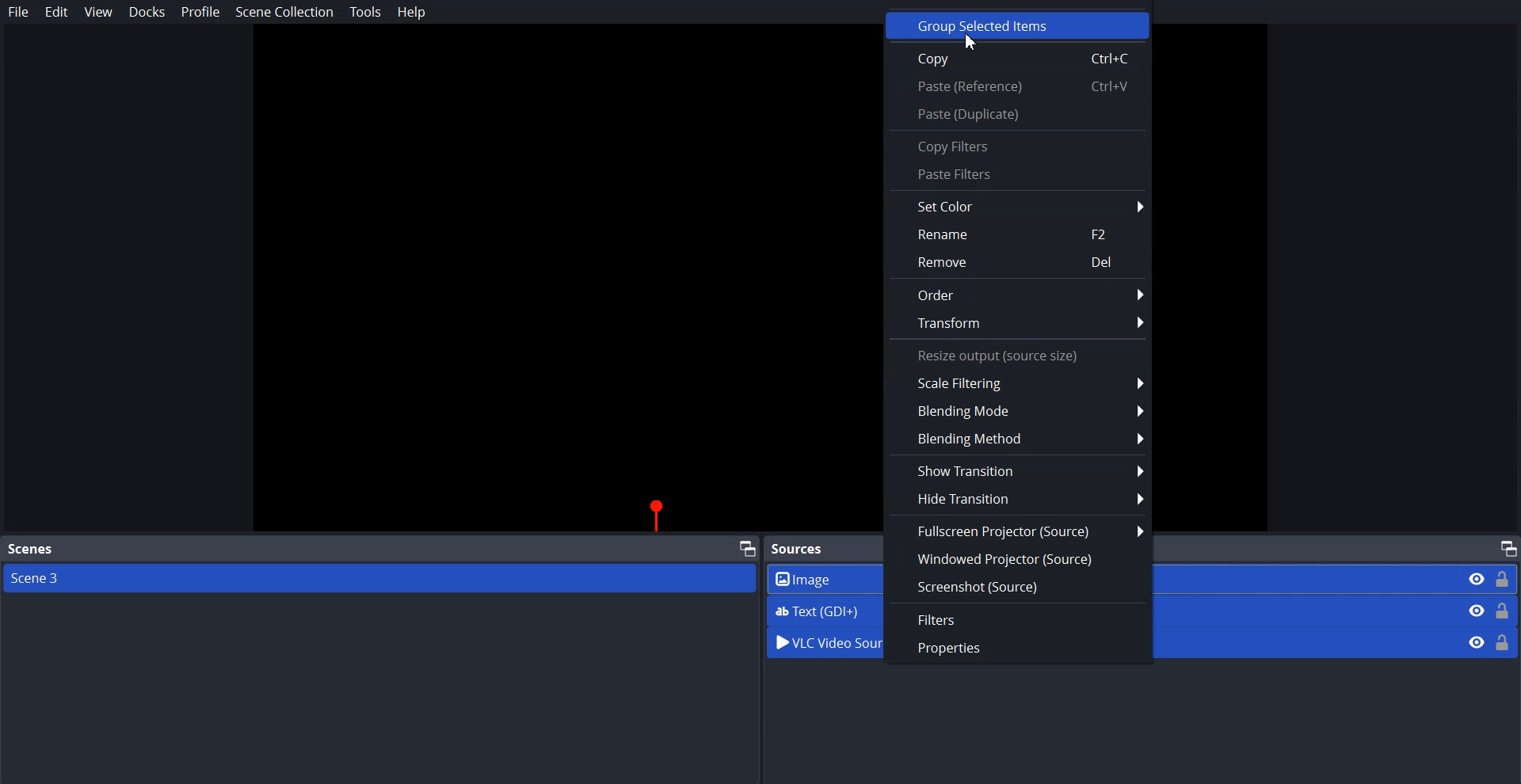 The image size is (1521, 784). I want to click on Scale Filtering, so click(1018, 382).